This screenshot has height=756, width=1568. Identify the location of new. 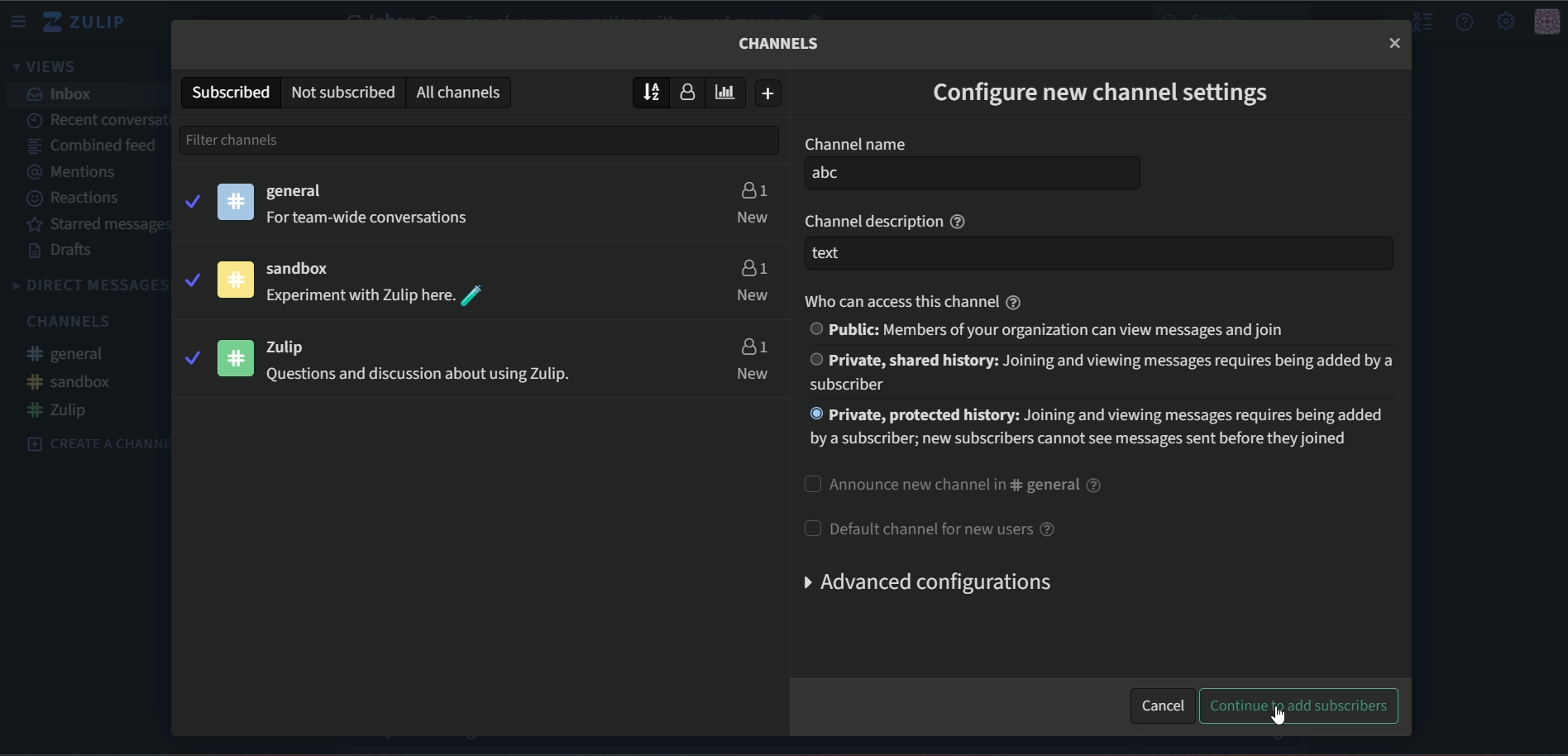
(754, 374).